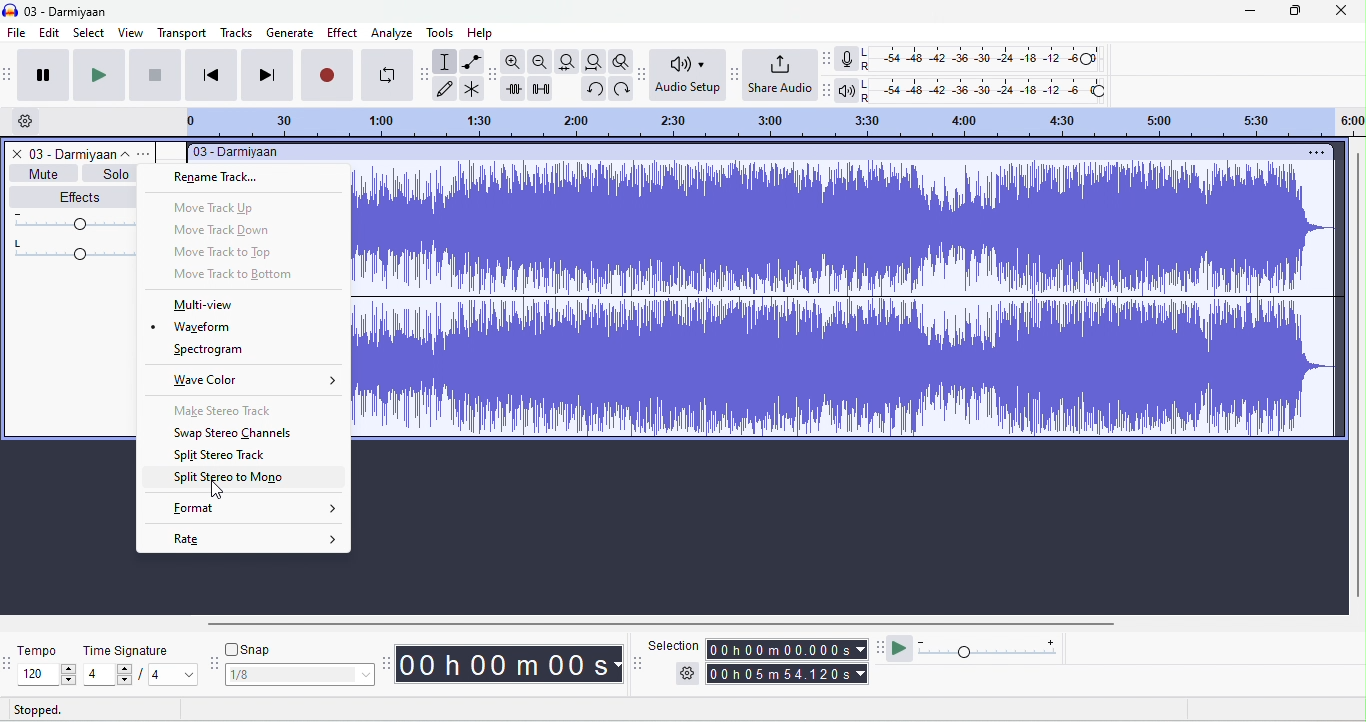 The height and width of the screenshot is (722, 1366). I want to click on draw, so click(442, 89).